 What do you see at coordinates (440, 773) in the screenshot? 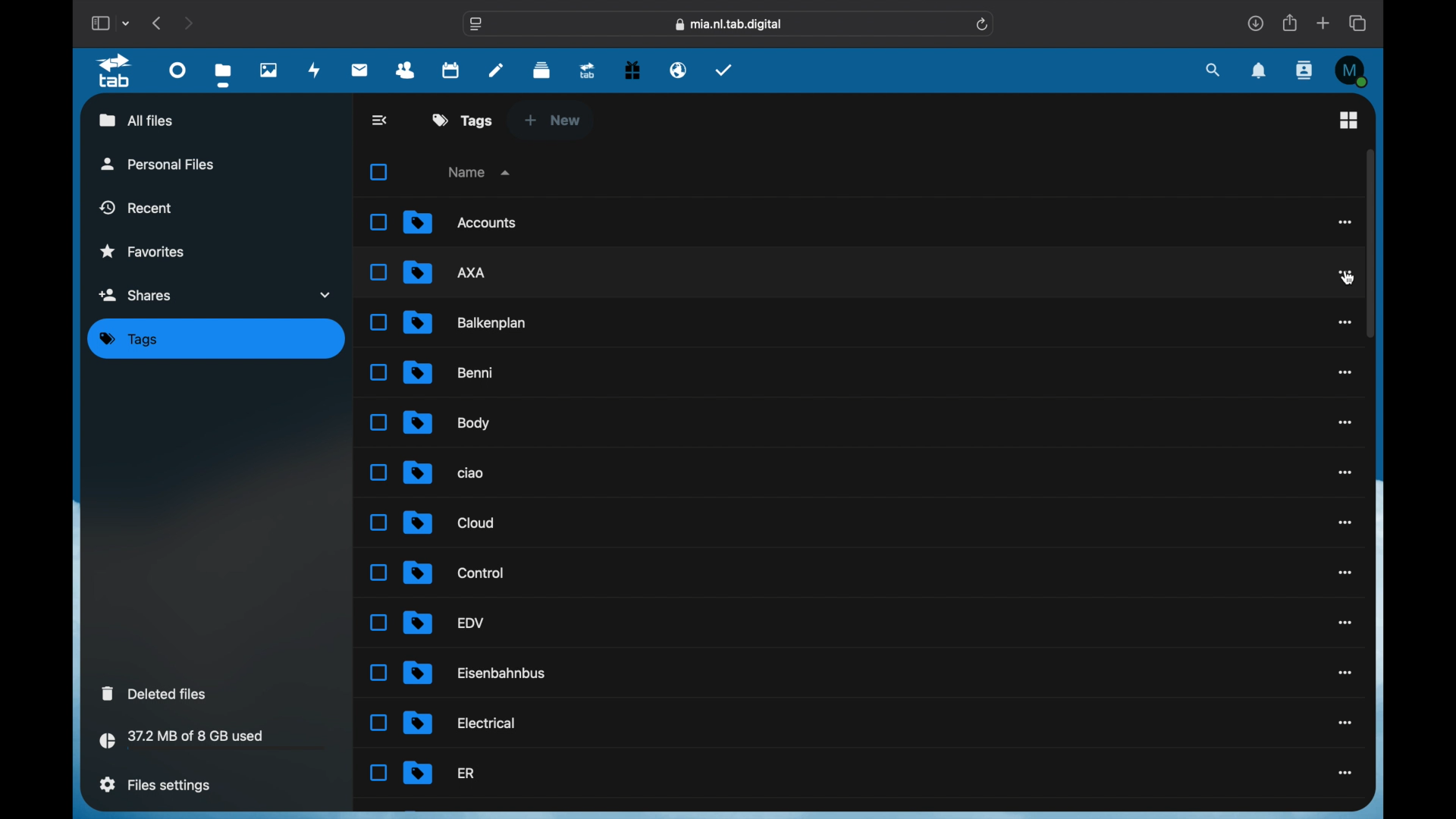
I see `file` at bounding box center [440, 773].